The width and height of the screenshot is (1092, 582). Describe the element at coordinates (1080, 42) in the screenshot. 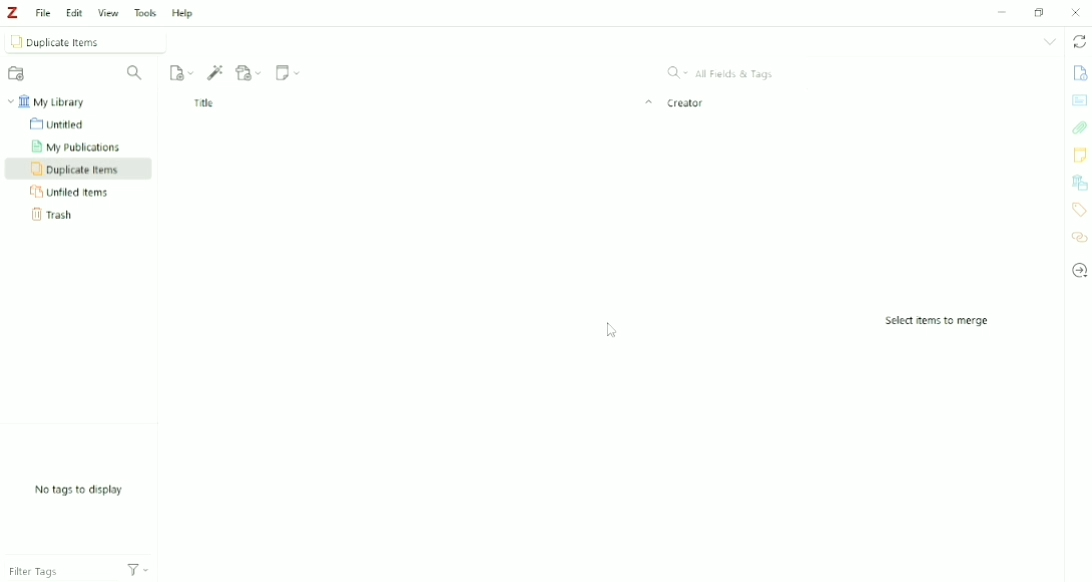

I see `Sync` at that location.